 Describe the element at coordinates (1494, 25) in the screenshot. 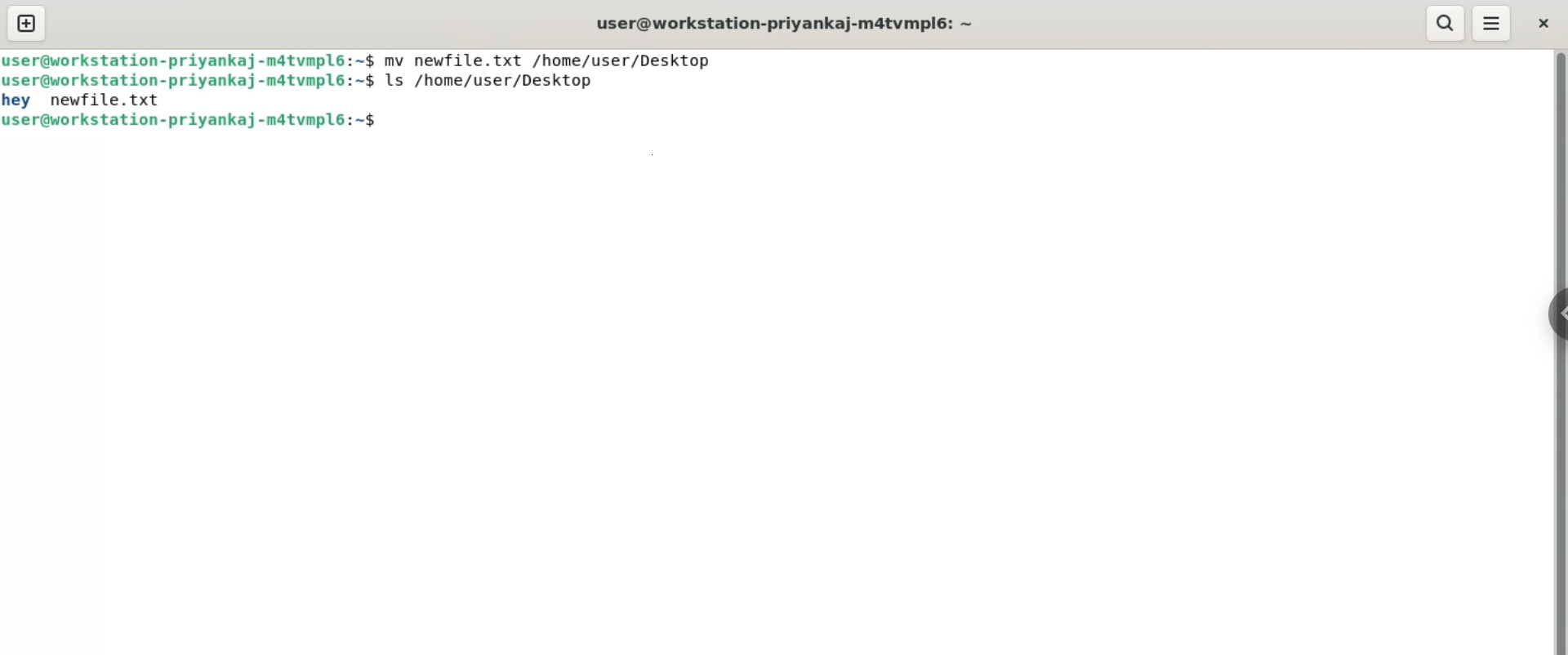

I see `menu` at that location.